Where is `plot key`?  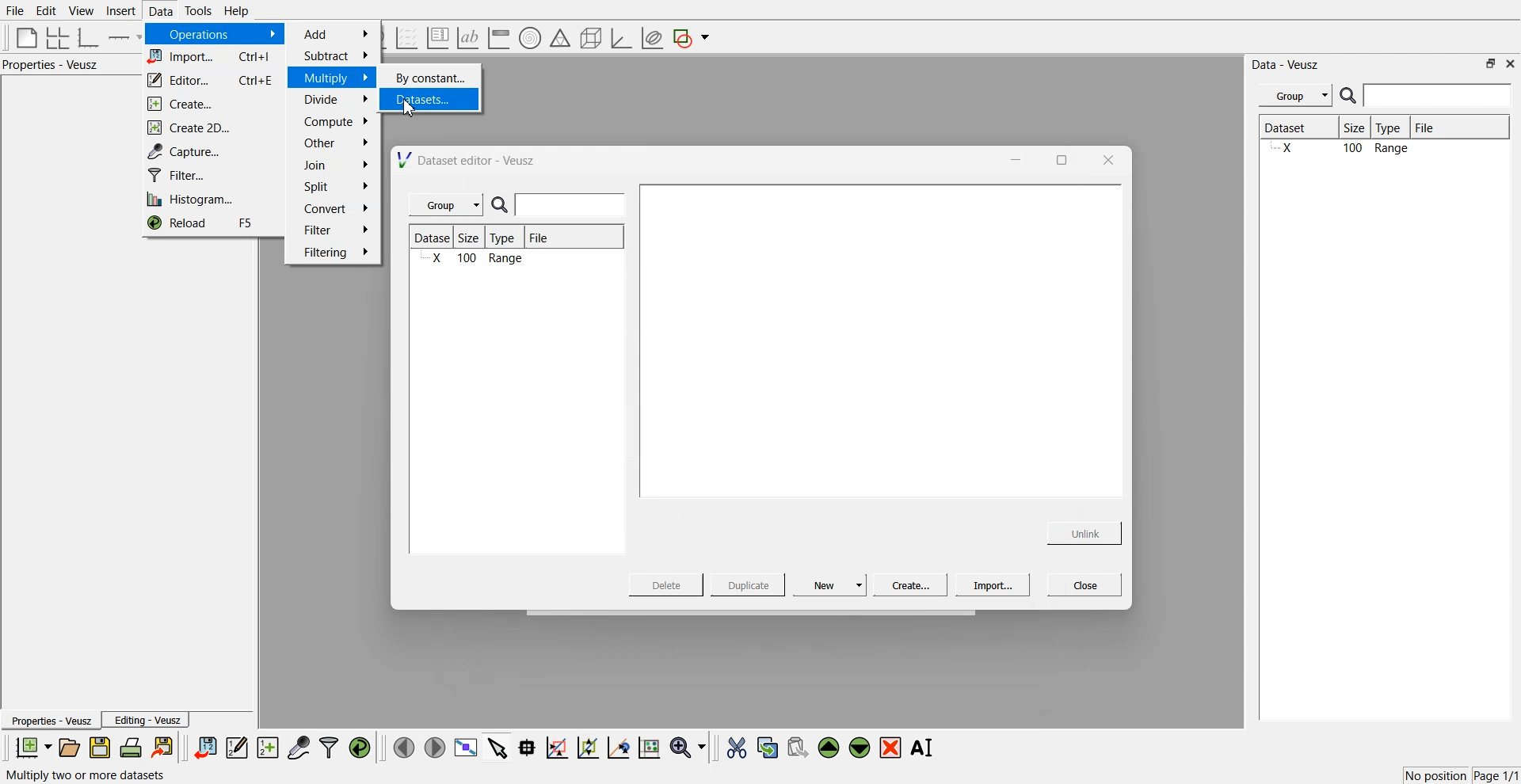
plot key is located at coordinates (437, 38).